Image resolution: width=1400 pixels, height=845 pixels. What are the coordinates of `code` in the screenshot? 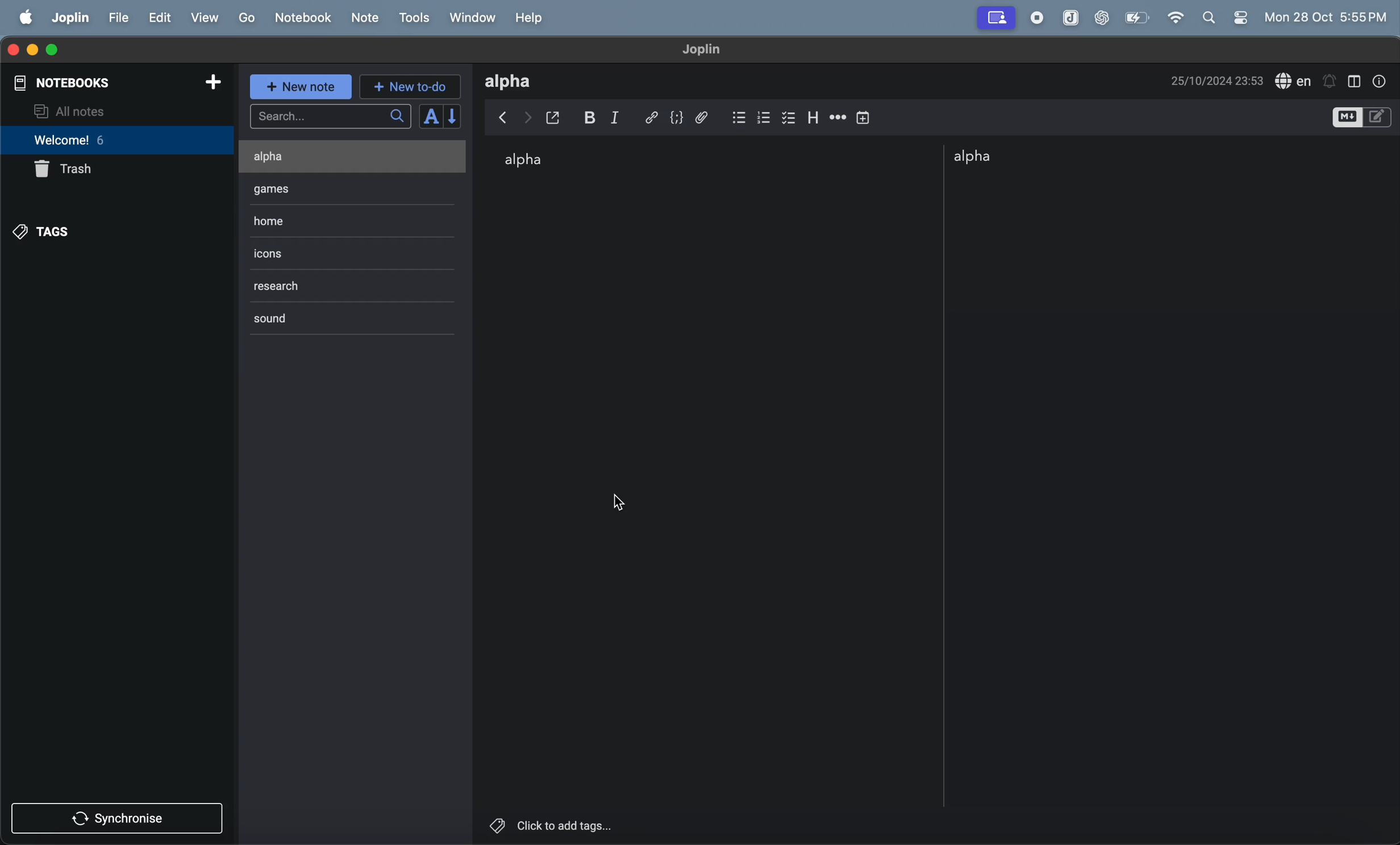 It's located at (680, 118).